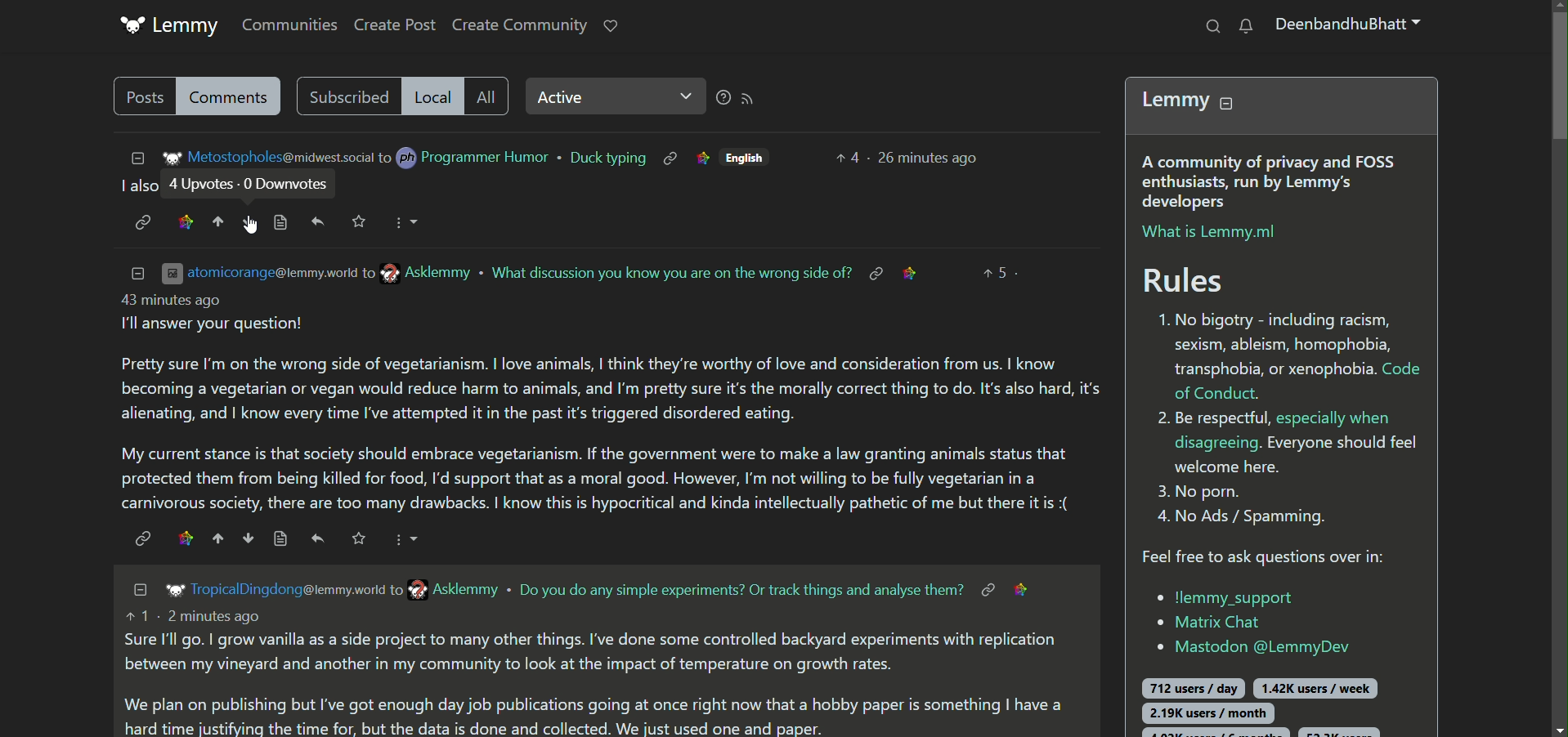 The width and height of the screenshot is (1568, 737). Describe the element at coordinates (519, 26) in the screenshot. I see `create community` at that location.